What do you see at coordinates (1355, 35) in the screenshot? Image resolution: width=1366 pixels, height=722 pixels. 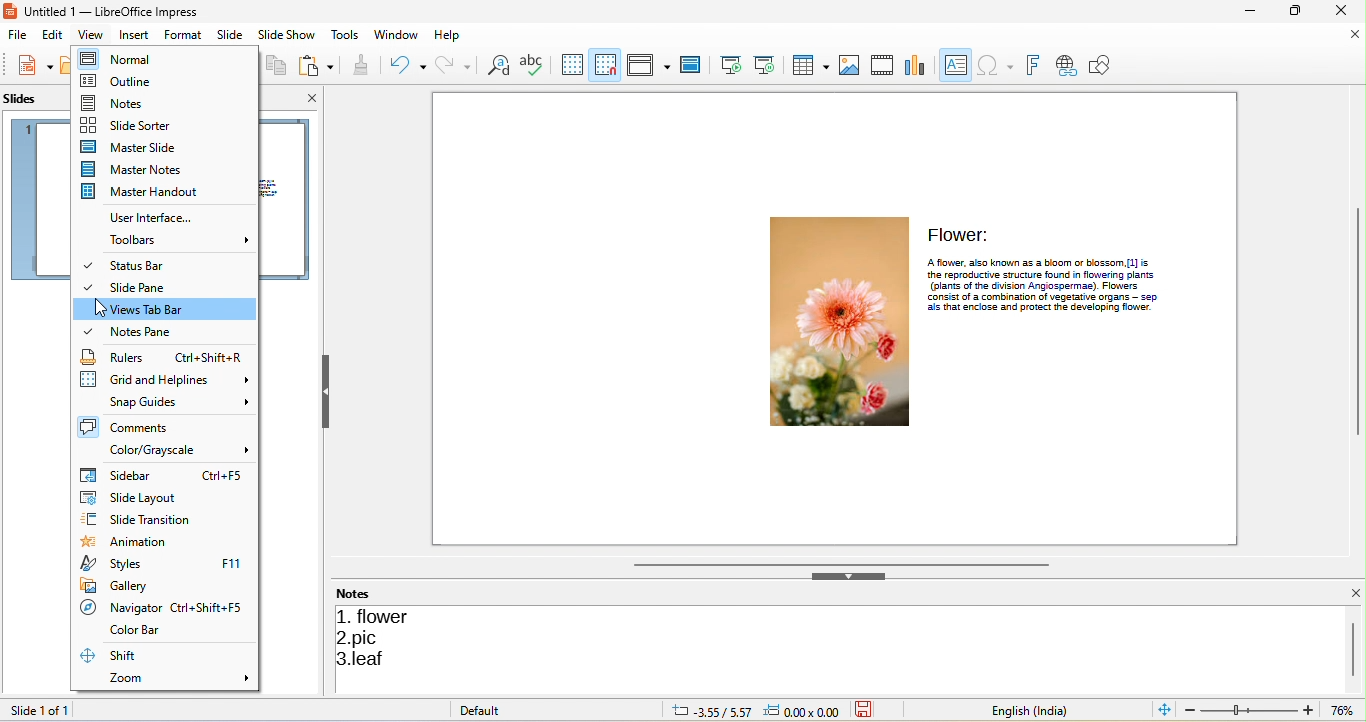 I see `close` at bounding box center [1355, 35].